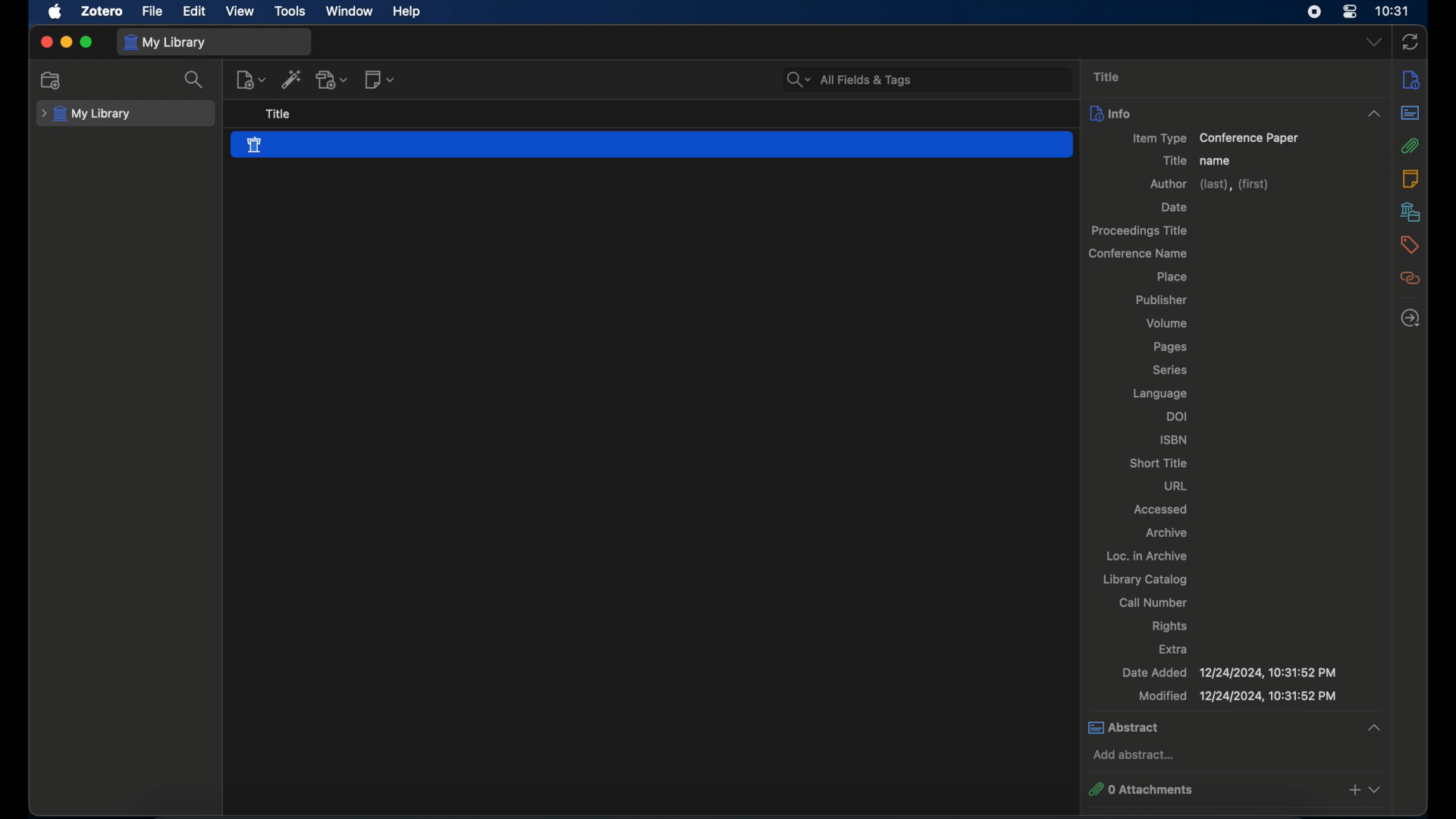 This screenshot has width=1456, height=819. Describe the element at coordinates (1410, 146) in the screenshot. I see `attachments` at that location.